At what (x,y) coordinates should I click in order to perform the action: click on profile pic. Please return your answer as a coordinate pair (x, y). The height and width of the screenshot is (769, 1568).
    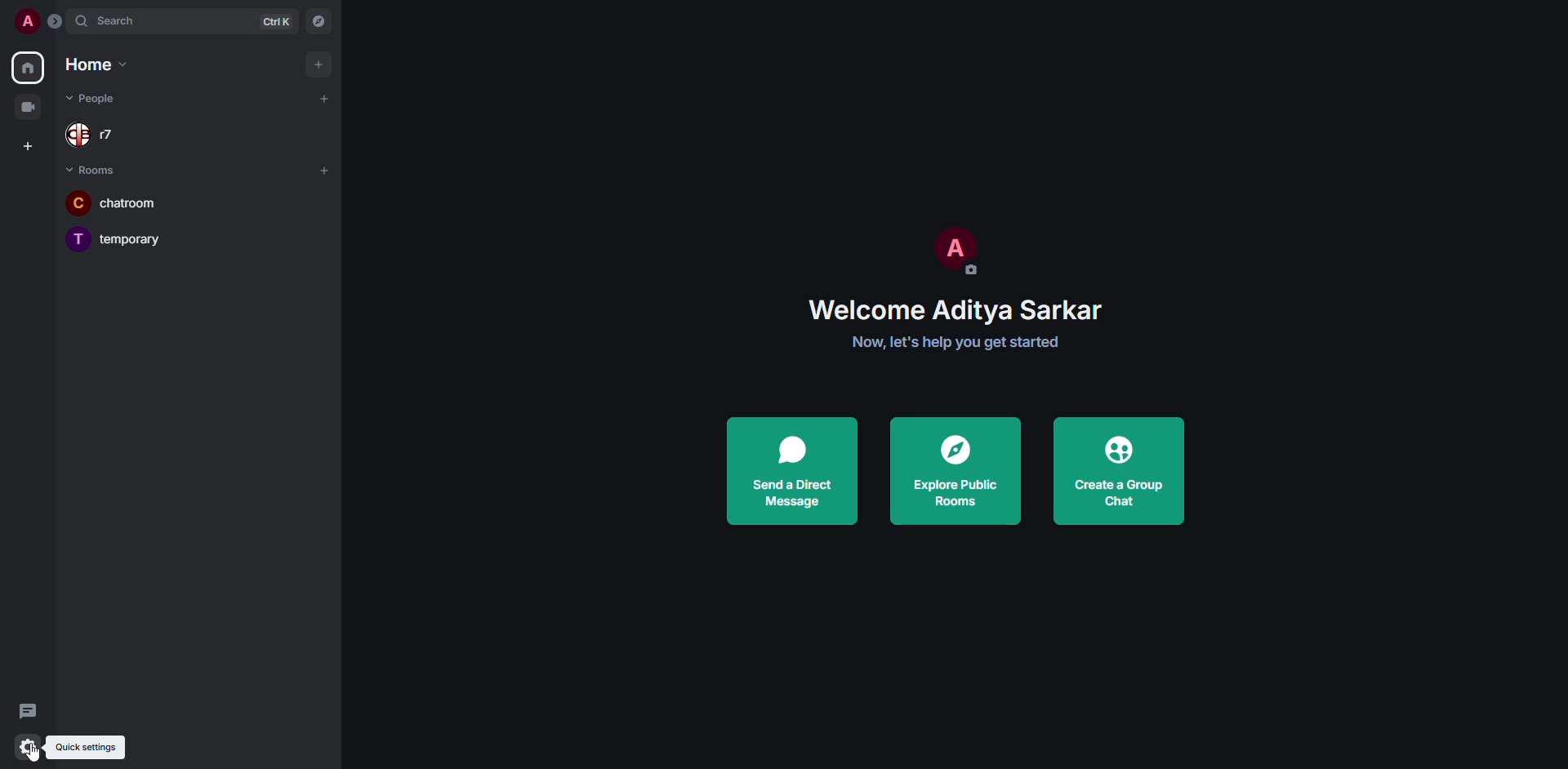
    Looking at the image, I should click on (952, 252).